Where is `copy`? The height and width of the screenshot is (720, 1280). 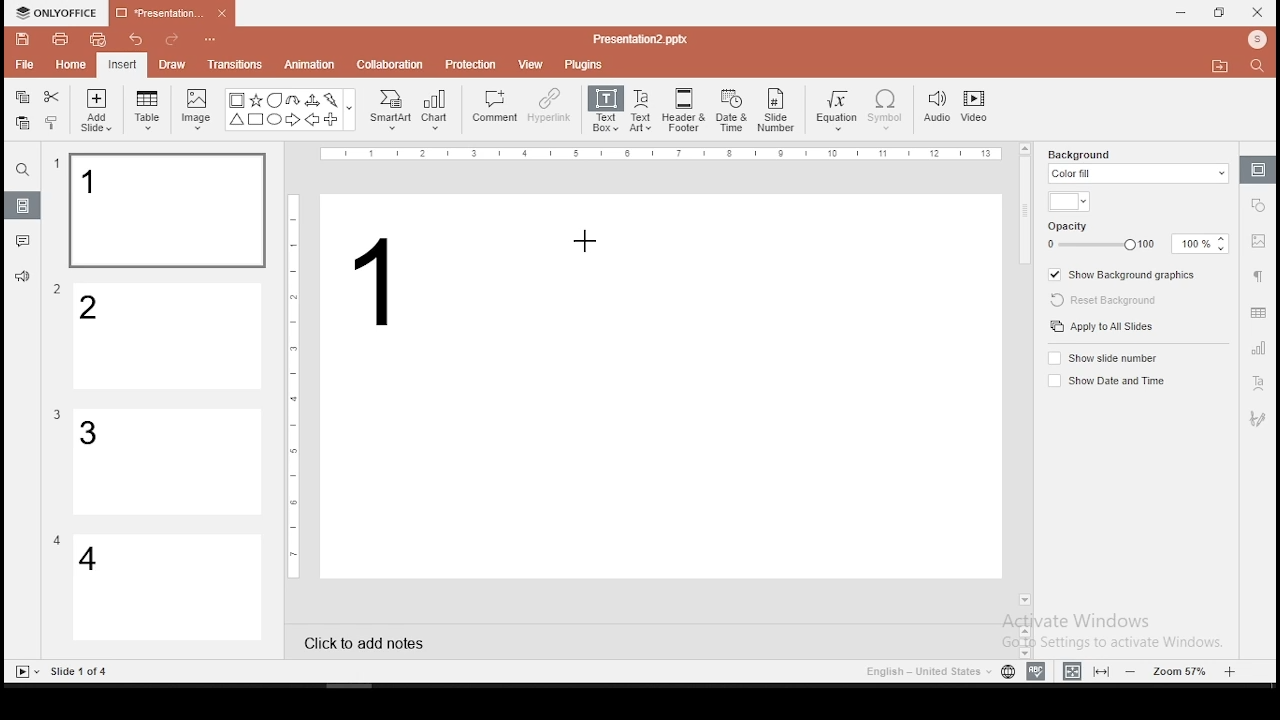
copy is located at coordinates (22, 97).